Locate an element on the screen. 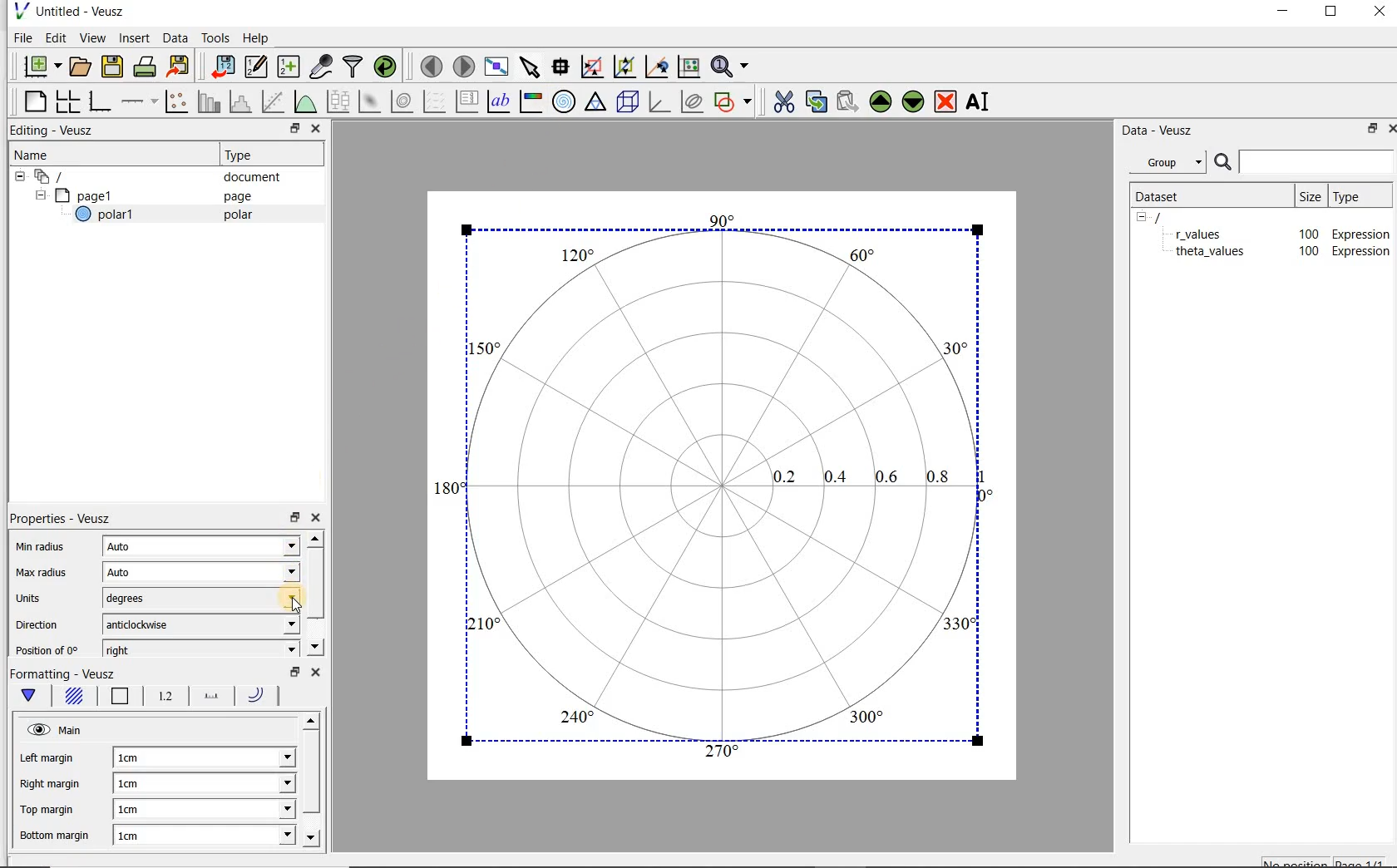 The height and width of the screenshot is (868, 1397). select items from the graph or scroll is located at coordinates (529, 65).